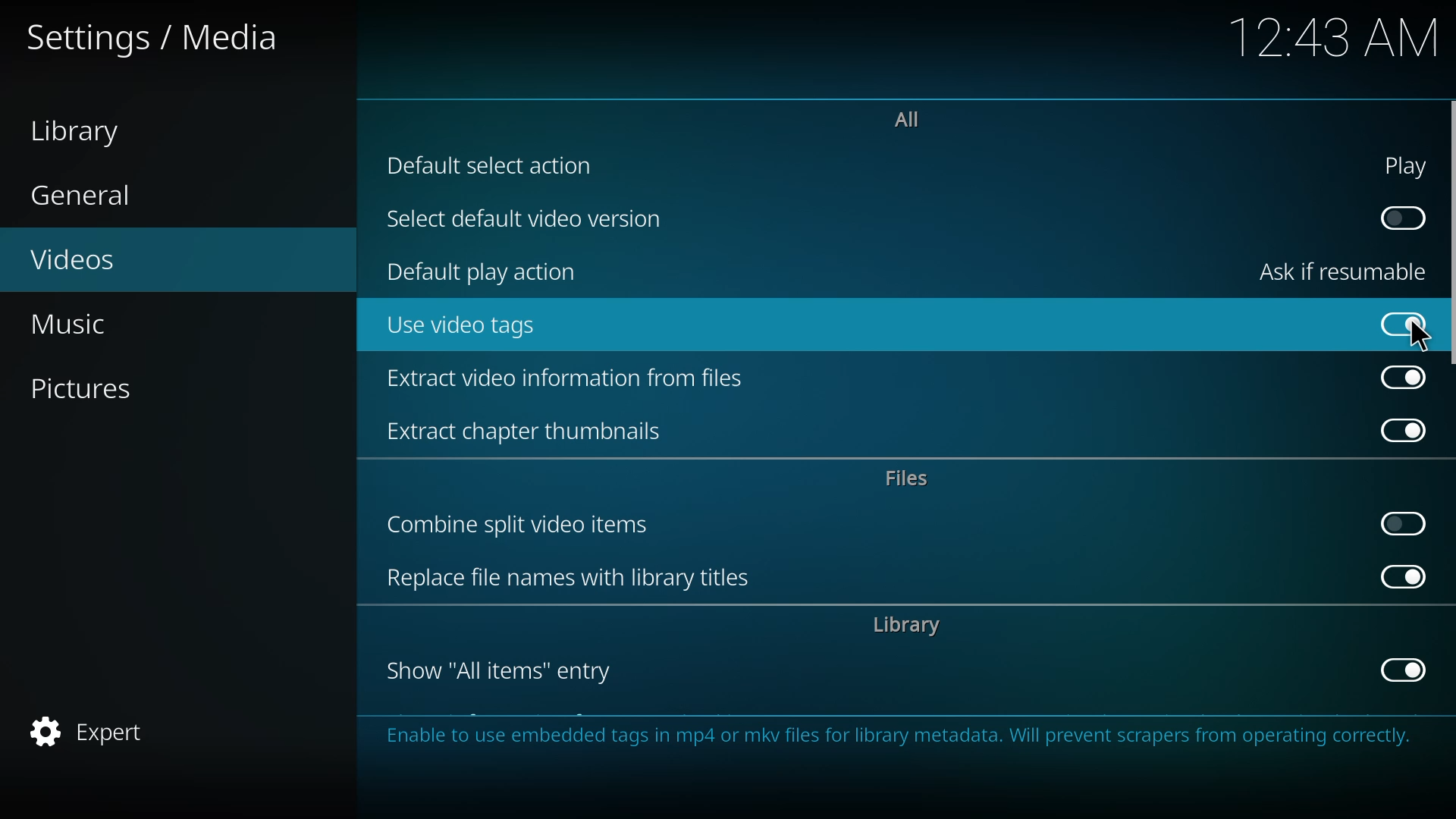 The image size is (1456, 819). Describe the element at coordinates (539, 430) in the screenshot. I see `extract chapter thumbnails` at that location.